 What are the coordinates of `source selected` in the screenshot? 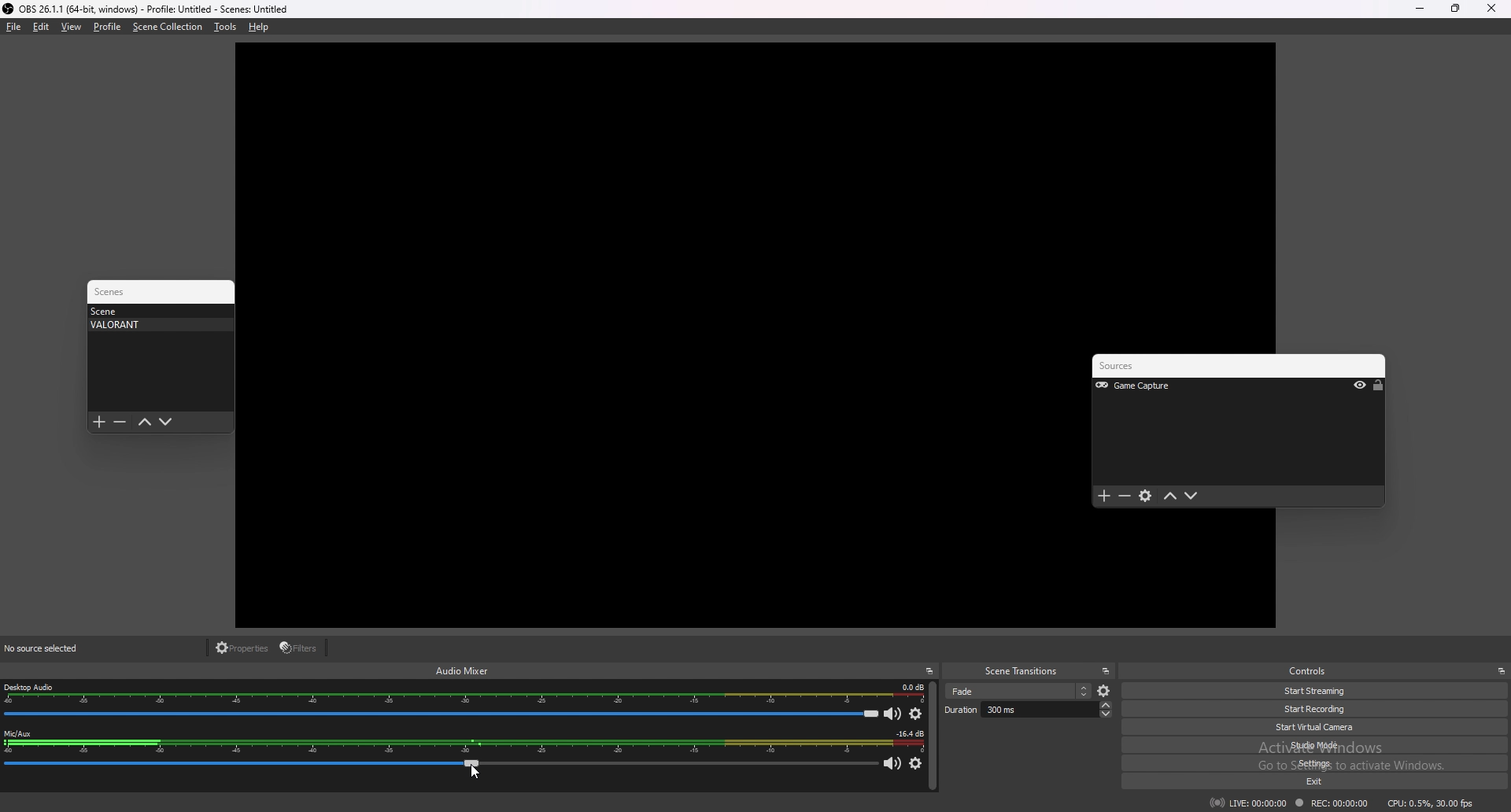 It's located at (52, 648).